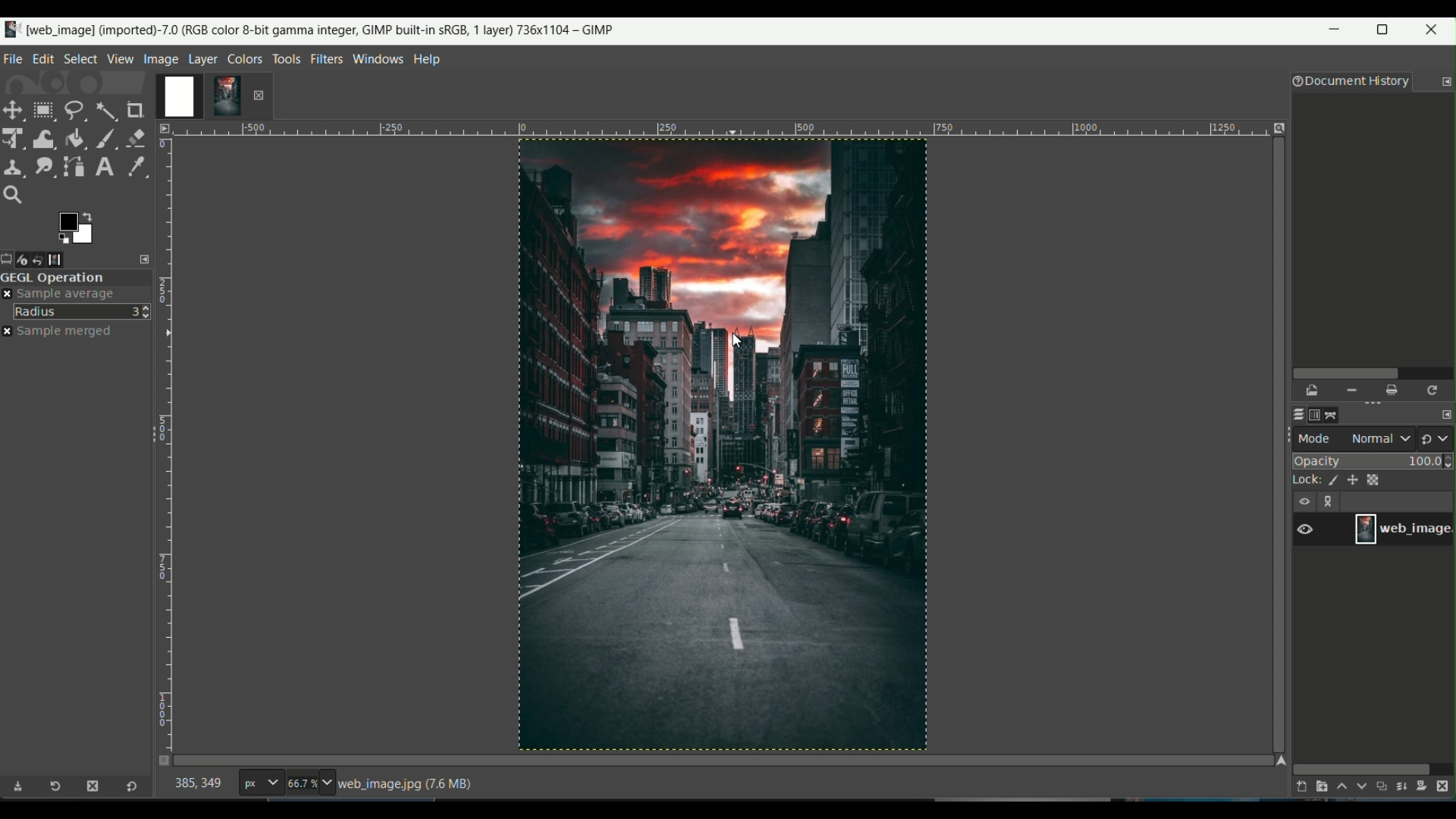  What do you see at coordinates (17, 196) in the screenshot?
I see `zoom tool` at bounding box center [17, 196].